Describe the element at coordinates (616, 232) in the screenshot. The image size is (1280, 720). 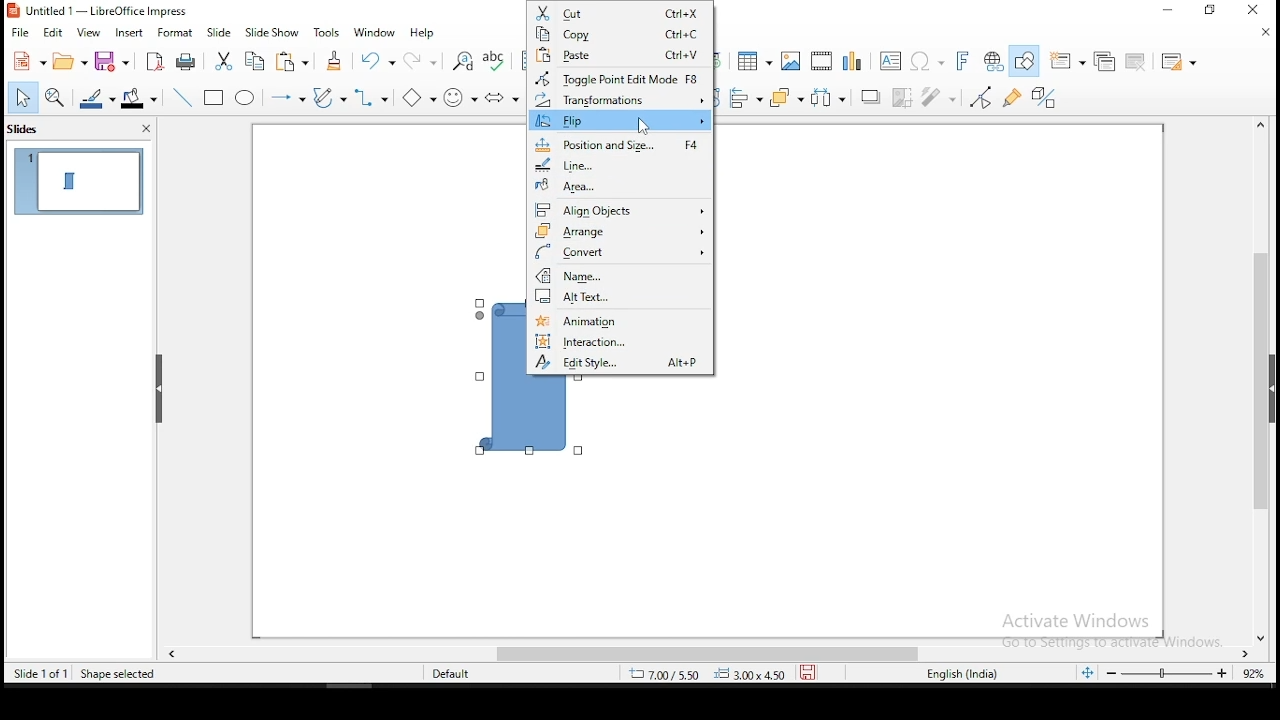
I see `arrange` at that location.